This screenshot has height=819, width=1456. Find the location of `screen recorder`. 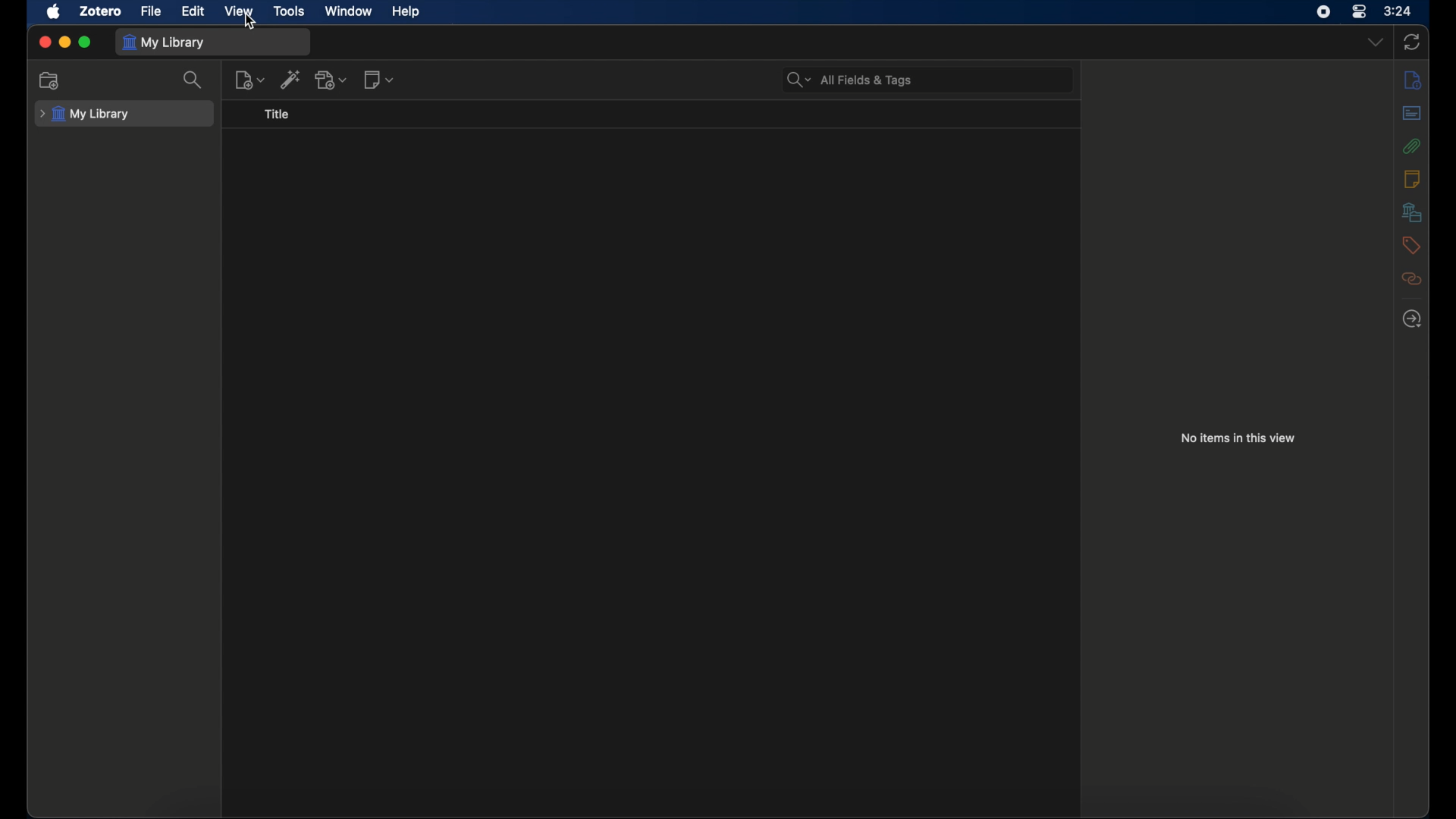

screen recorder is located at coordinates (1323, 12).